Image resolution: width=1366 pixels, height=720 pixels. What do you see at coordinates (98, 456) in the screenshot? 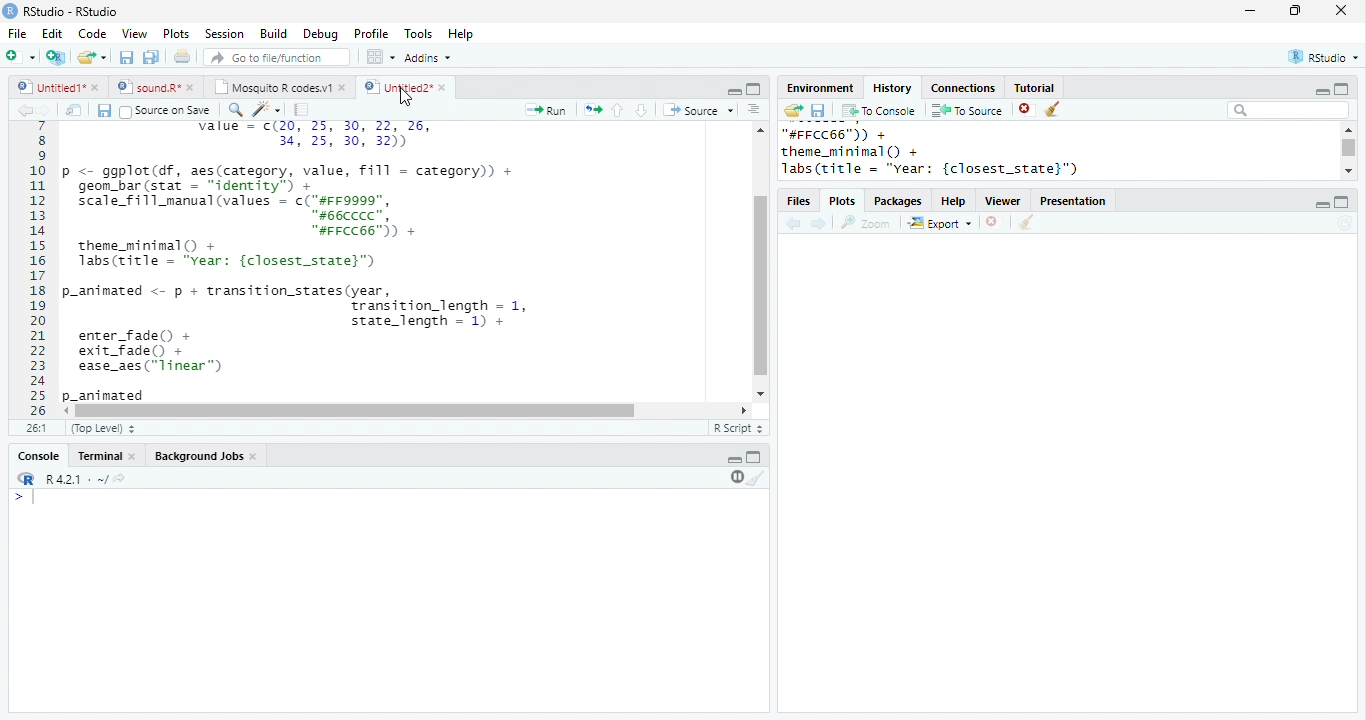
I see `Terminal` at bounding box center [98, 456].